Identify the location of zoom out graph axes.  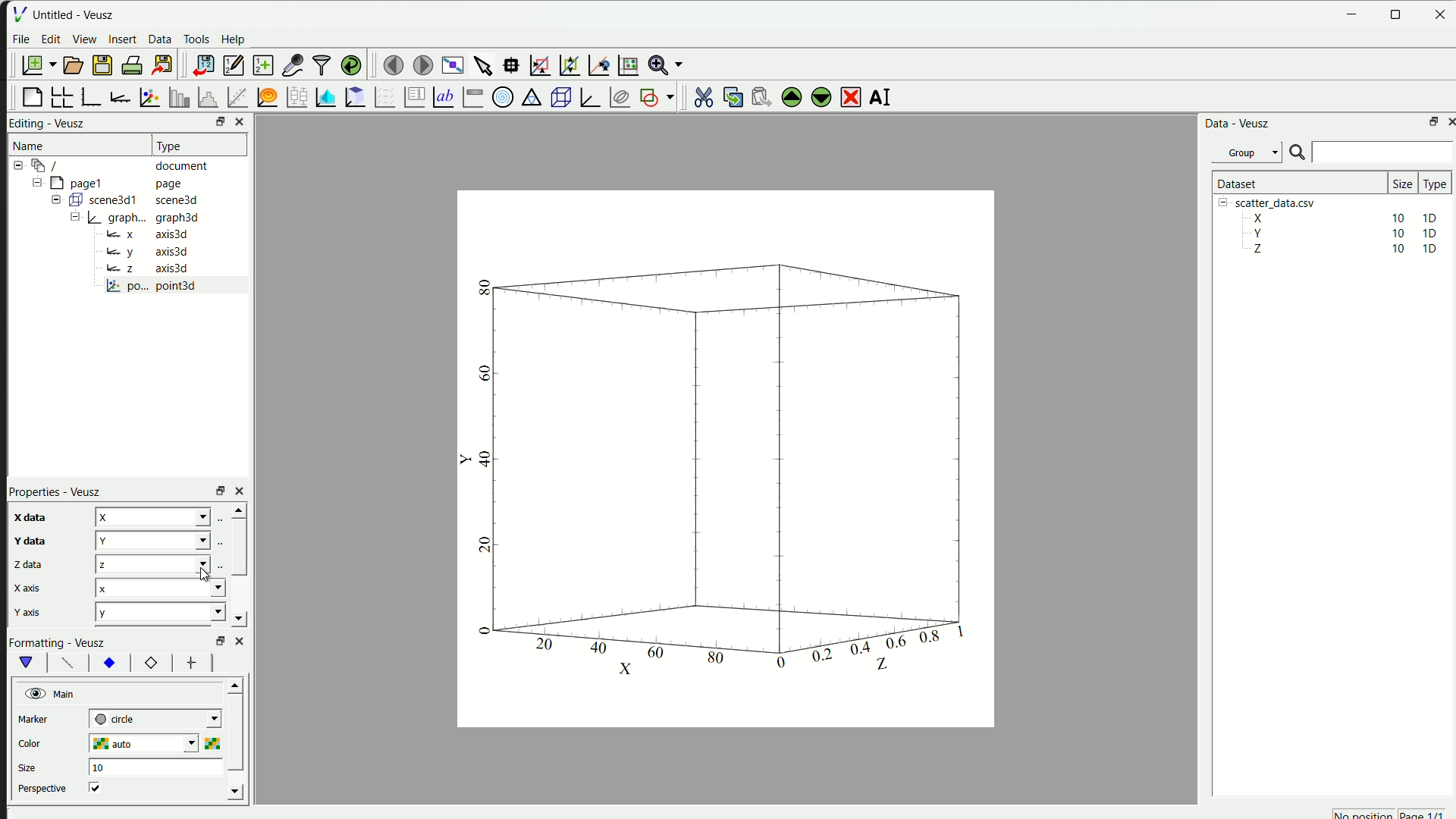
(567, 66).